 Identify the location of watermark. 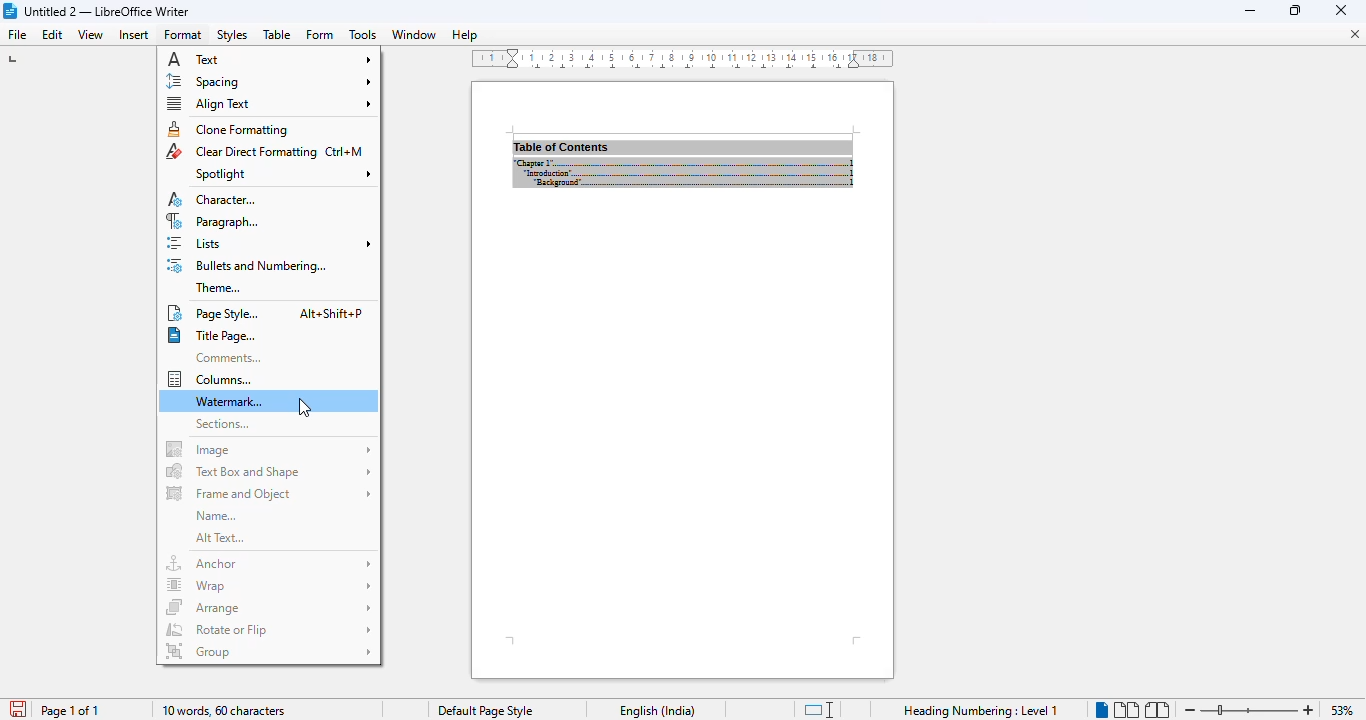
(232, 401).